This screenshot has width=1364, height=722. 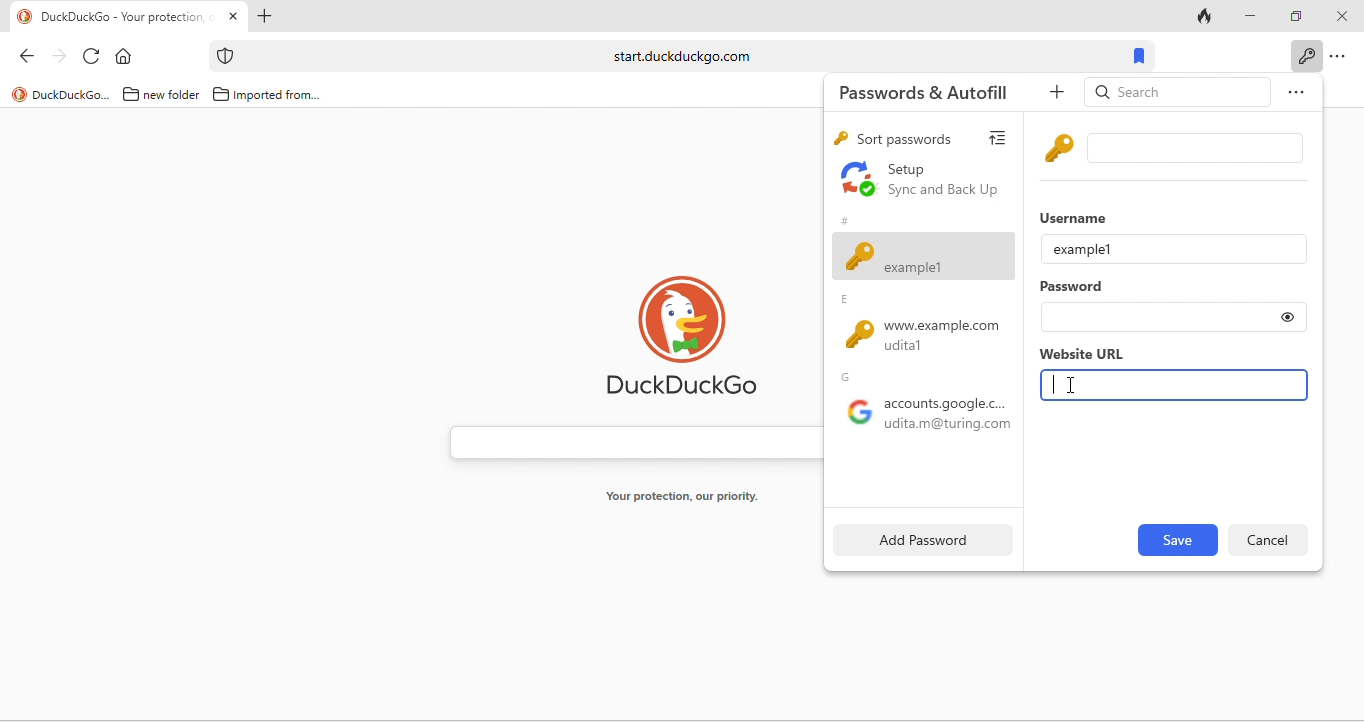 I want to click on bookmarks, so click(x=1141, y=55).